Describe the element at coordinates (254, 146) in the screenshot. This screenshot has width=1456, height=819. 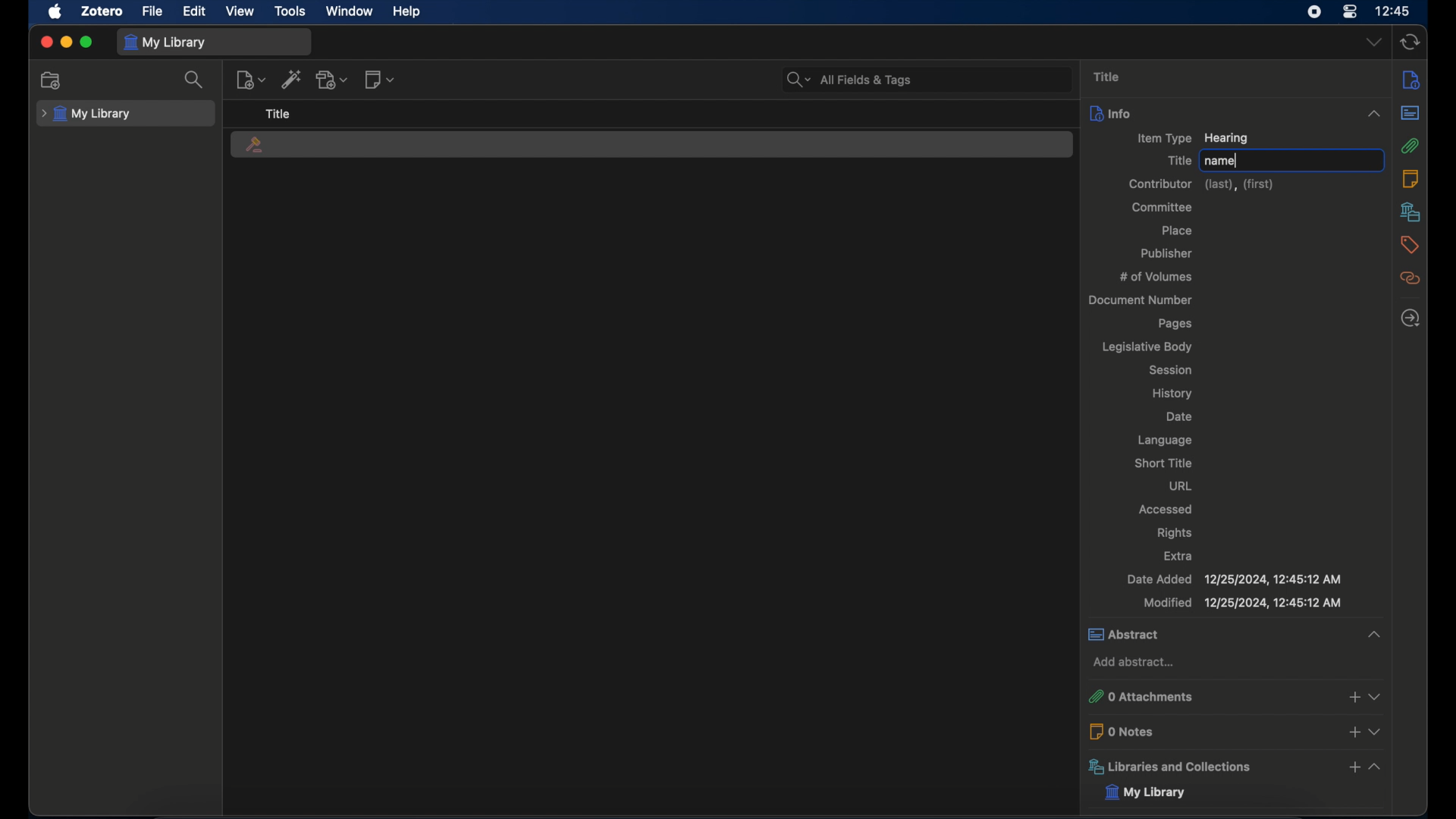
I see `hearing` at that location.